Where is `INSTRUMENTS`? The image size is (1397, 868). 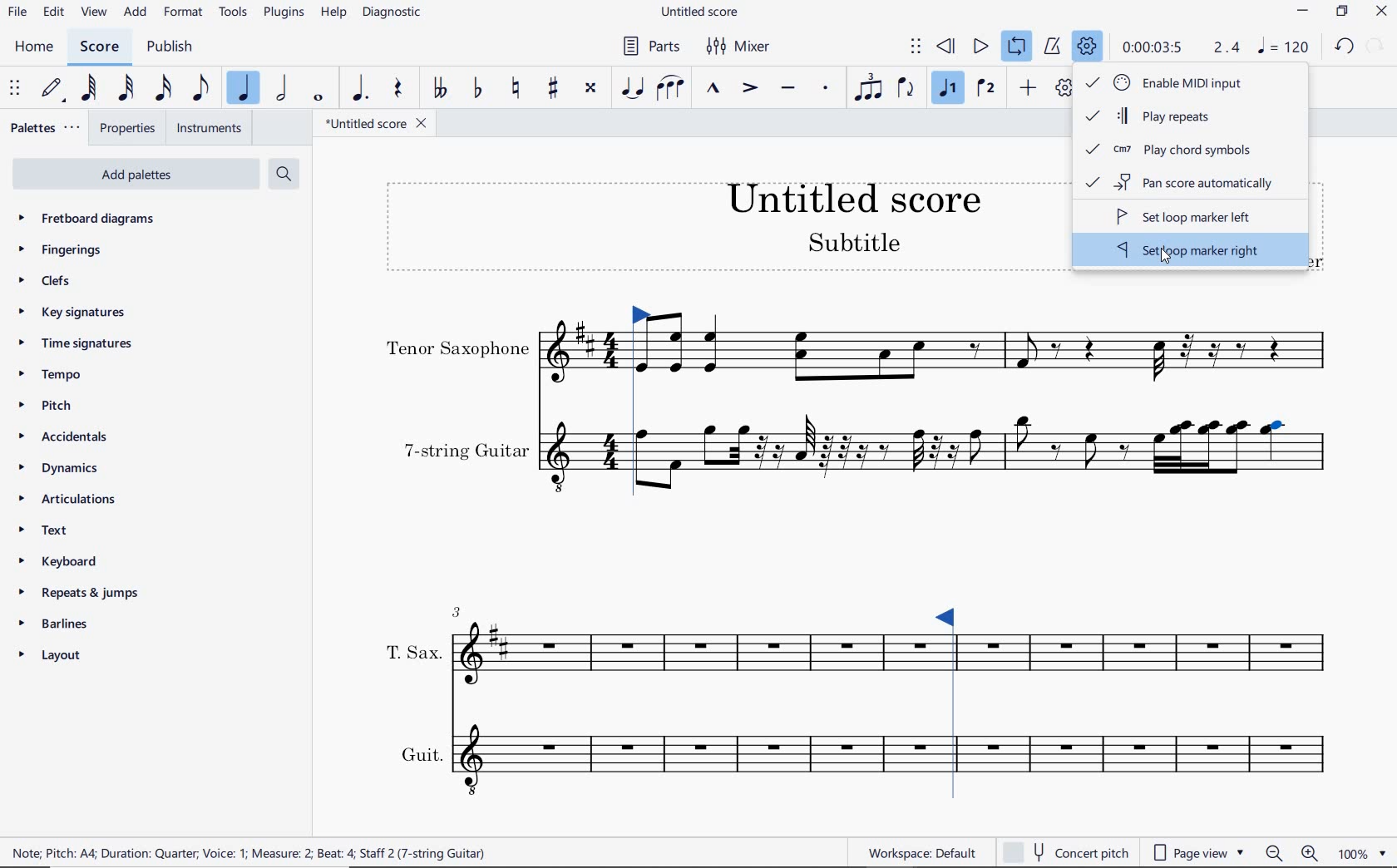 INSTRUMENTS is located at coordinates (212, 130).